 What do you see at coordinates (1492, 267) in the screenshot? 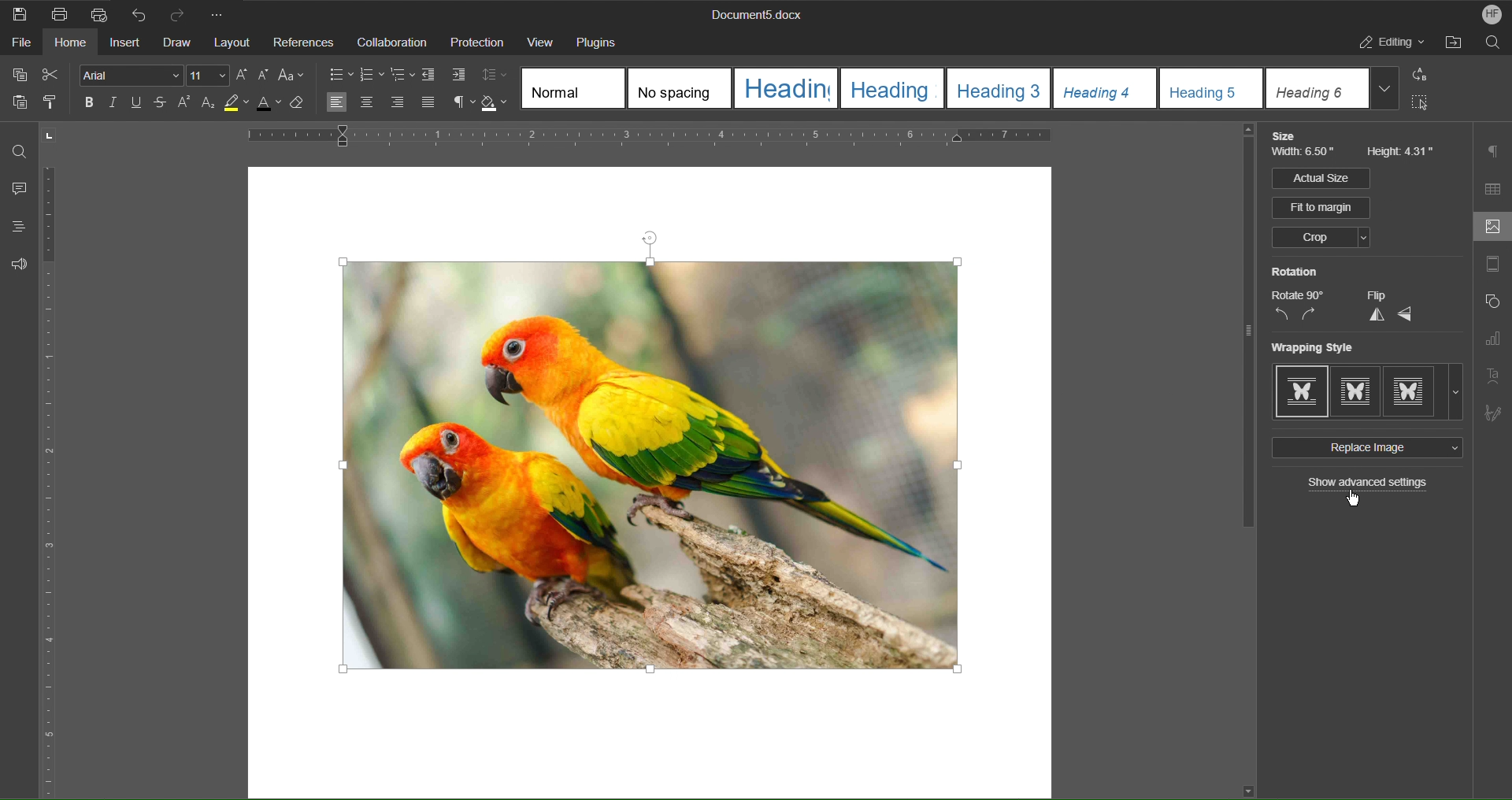
I see `Header/Footer` at bounding box center [1492, 267].